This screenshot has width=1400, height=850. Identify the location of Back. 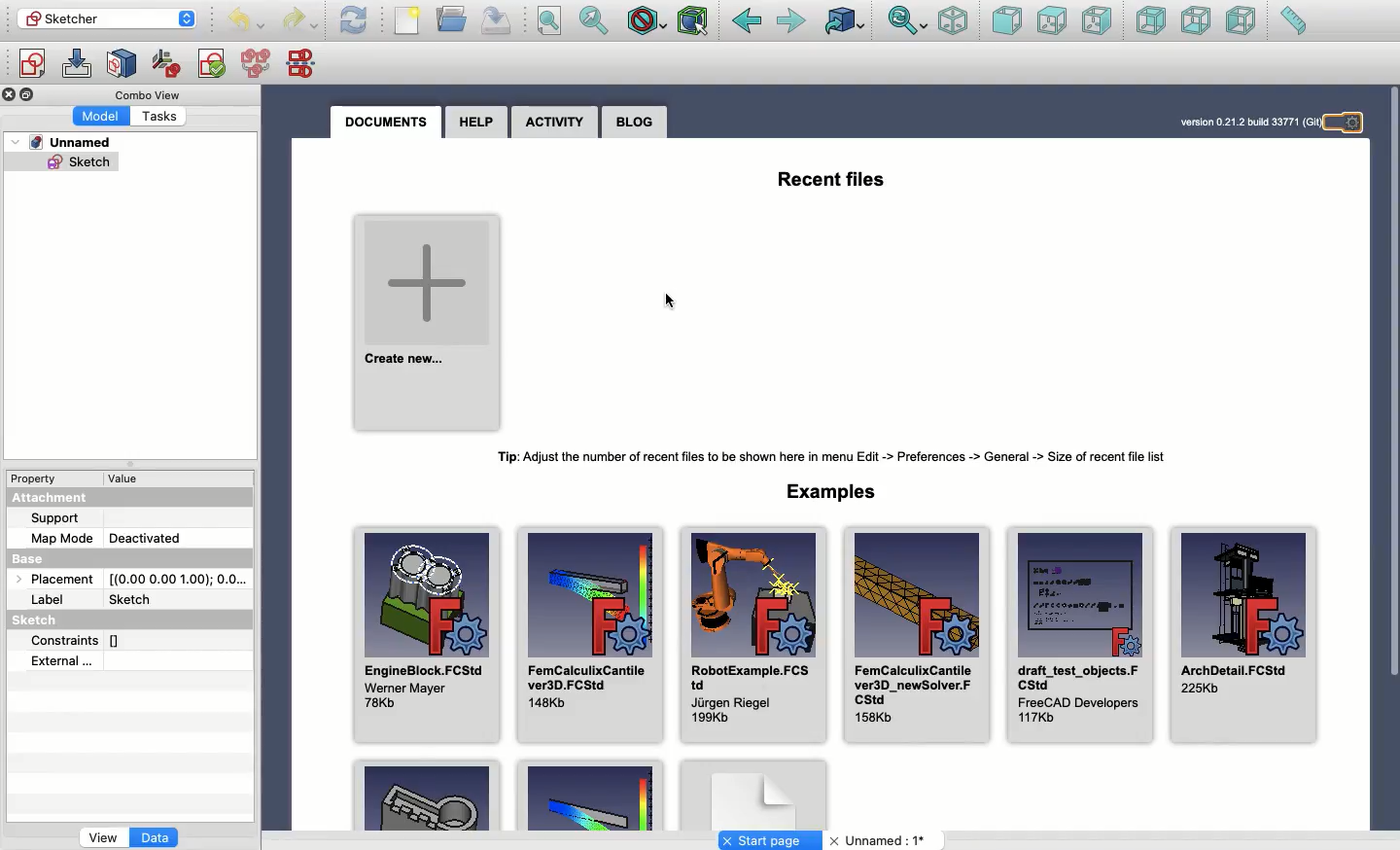
(747, 21).